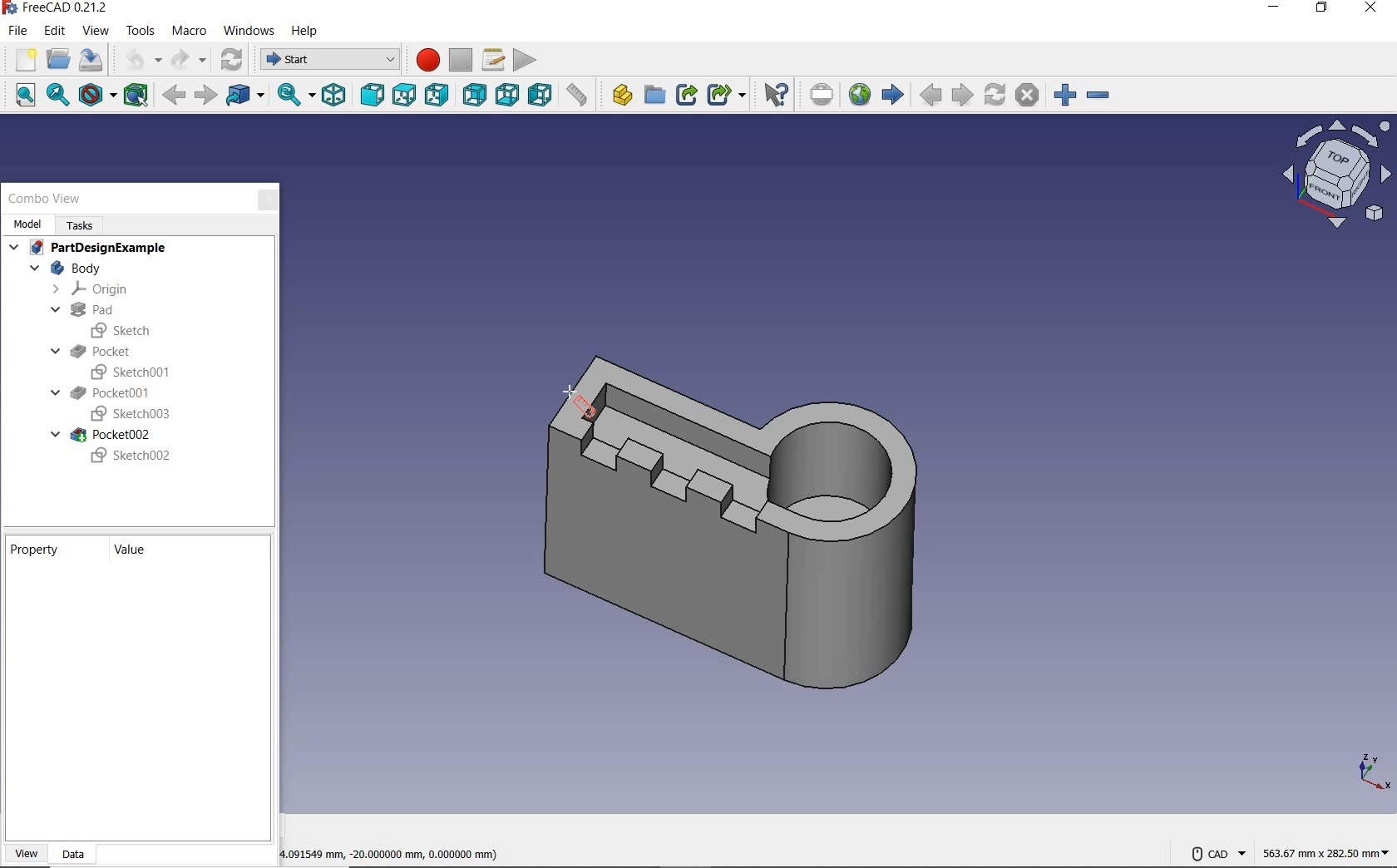 The height and width of the screenshot is (868, 1397). What do you see at coordinates (189, 31) in the screenshot?
I see `macro` at bounding box center [189, 31].